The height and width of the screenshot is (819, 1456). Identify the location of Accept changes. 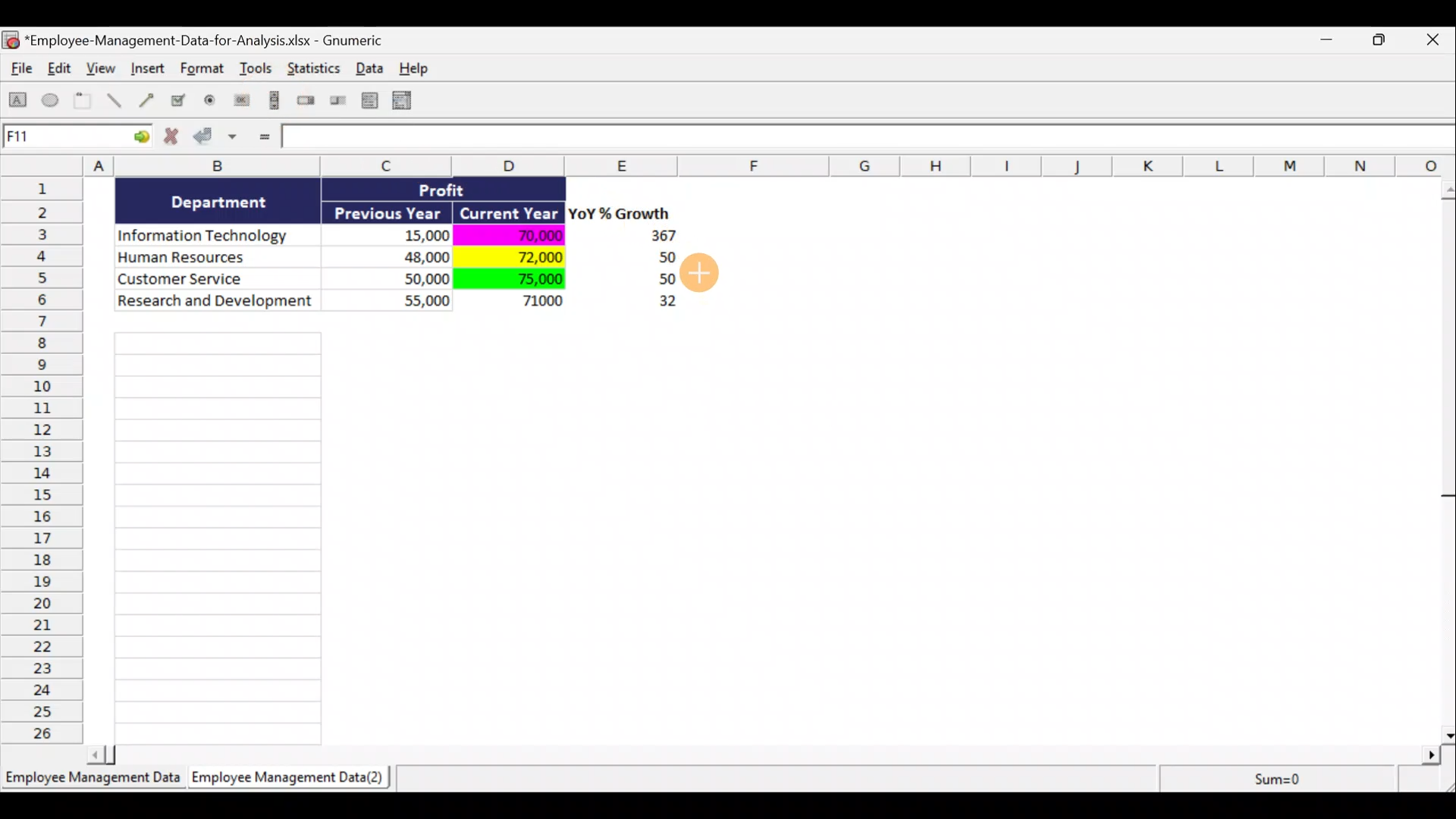
(218, 142).